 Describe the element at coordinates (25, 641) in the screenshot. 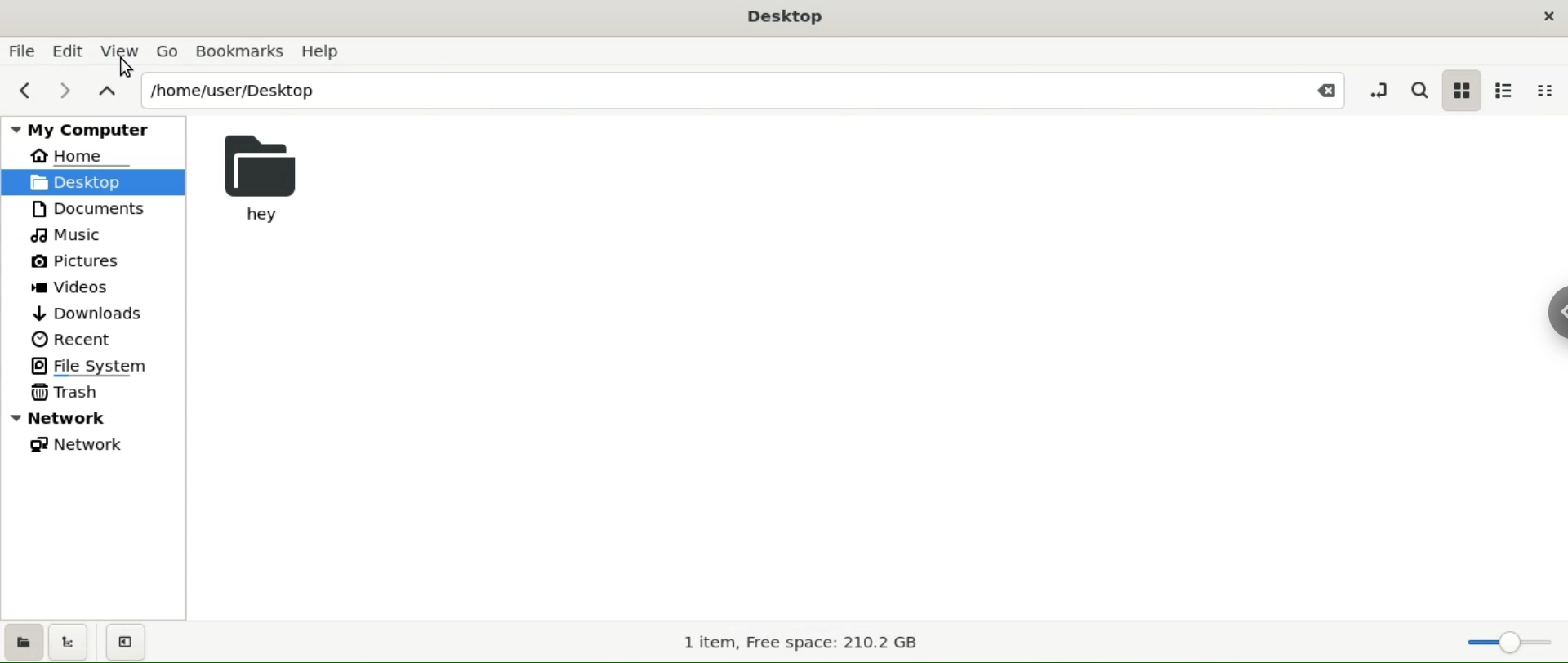

I see `show places` at that location.